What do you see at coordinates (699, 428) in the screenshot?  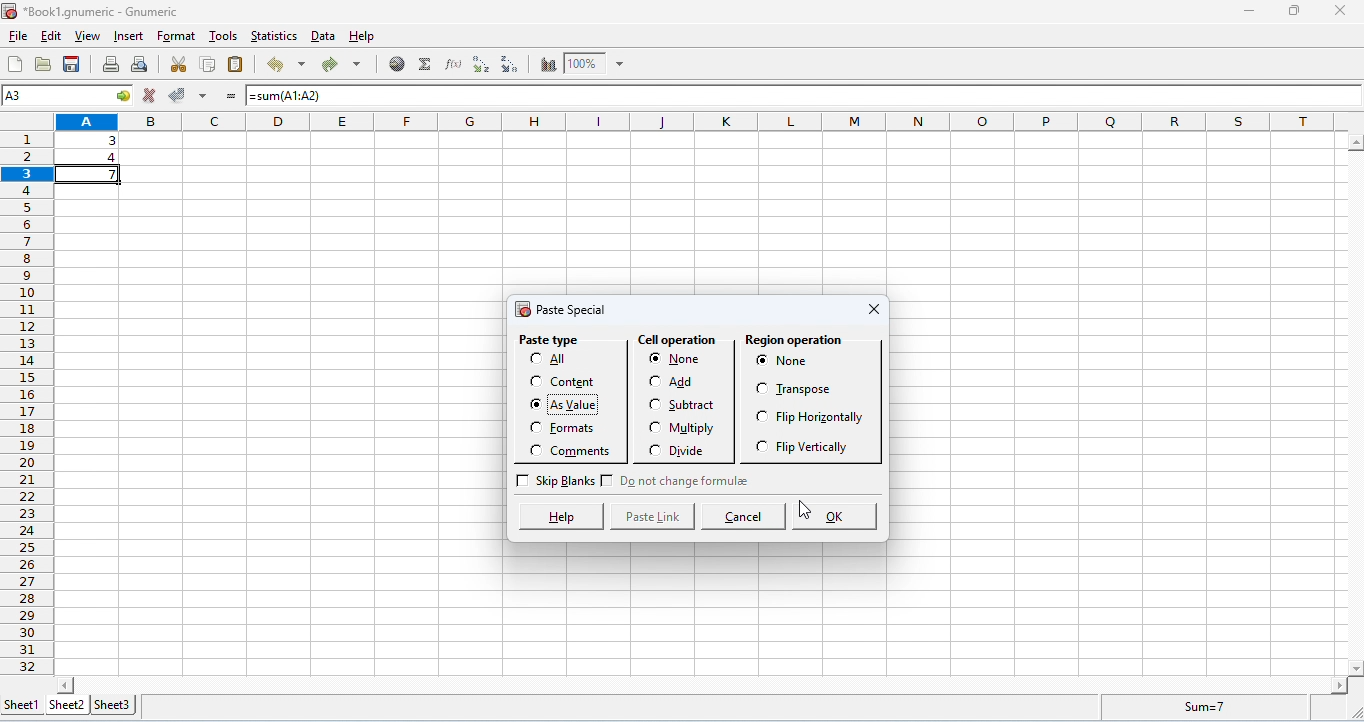 I see `multiply` at bounding box center [699, 428].